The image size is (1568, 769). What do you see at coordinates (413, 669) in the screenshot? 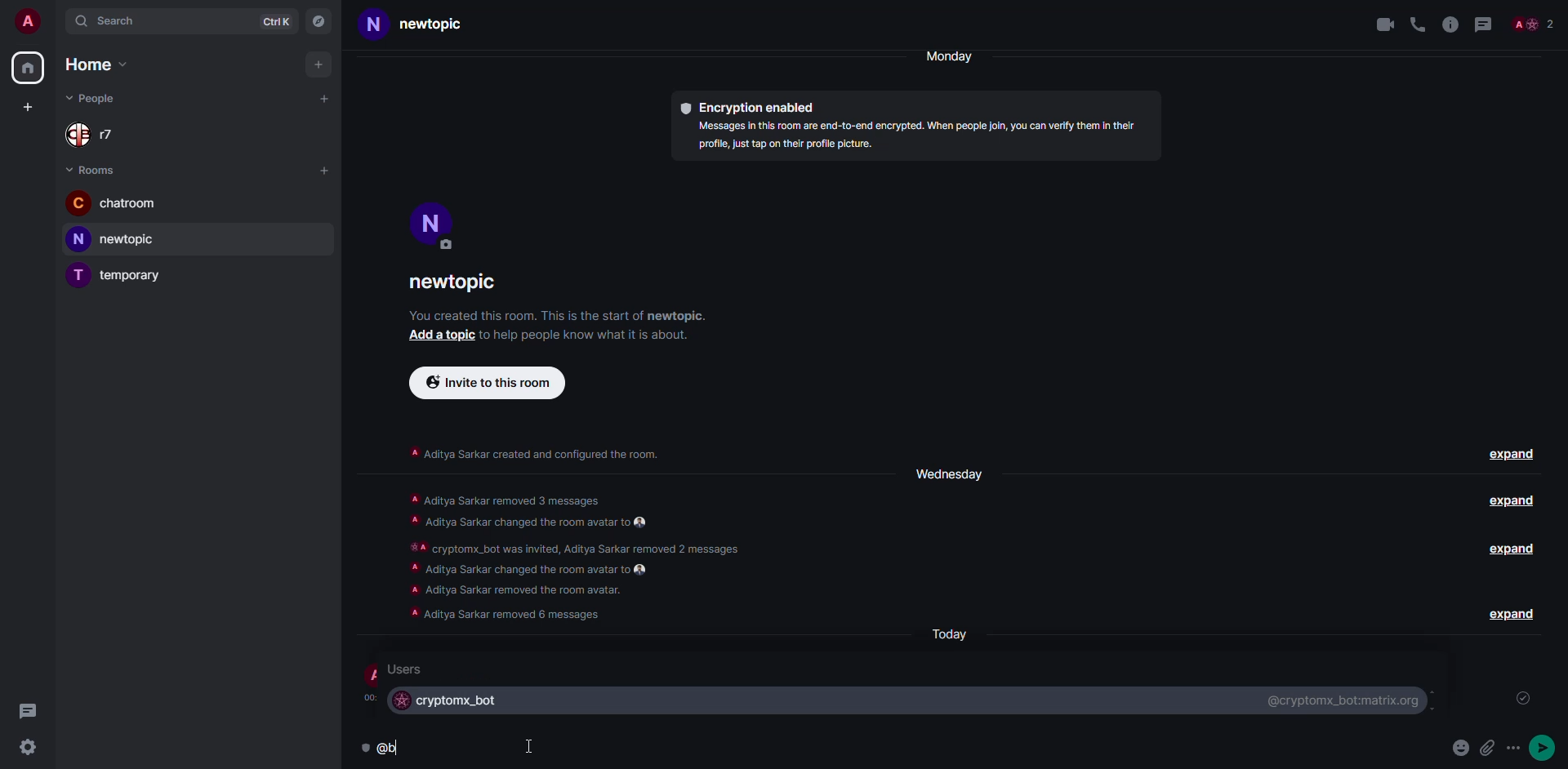
I see `users` at bounding box center [413, 669].